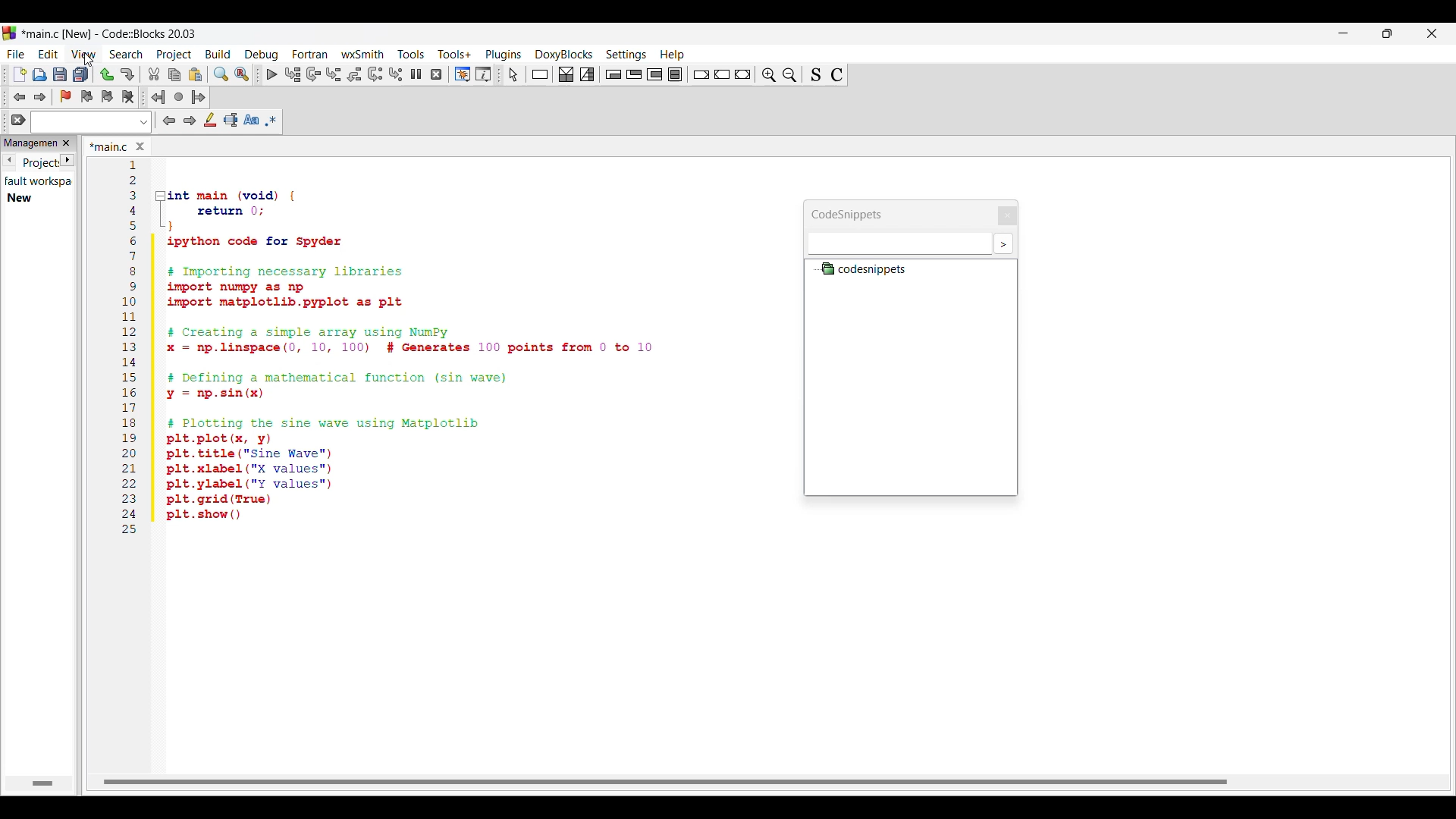 The height and width of the screenshot is (819, 1456). I want to click on Horizontal slide bar, so click(43, 783).